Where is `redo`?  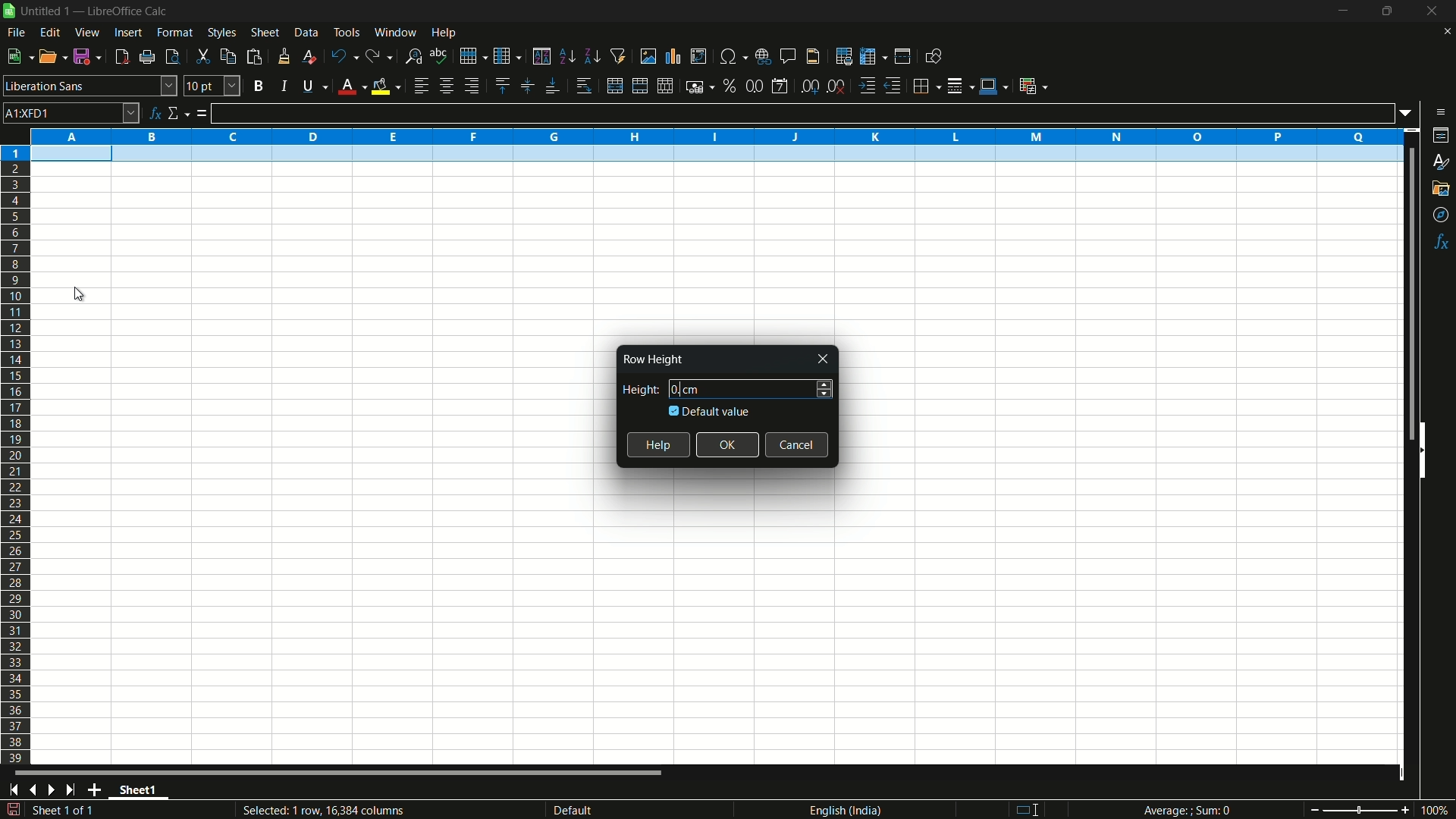
redo is located at coordinates (380, 57).